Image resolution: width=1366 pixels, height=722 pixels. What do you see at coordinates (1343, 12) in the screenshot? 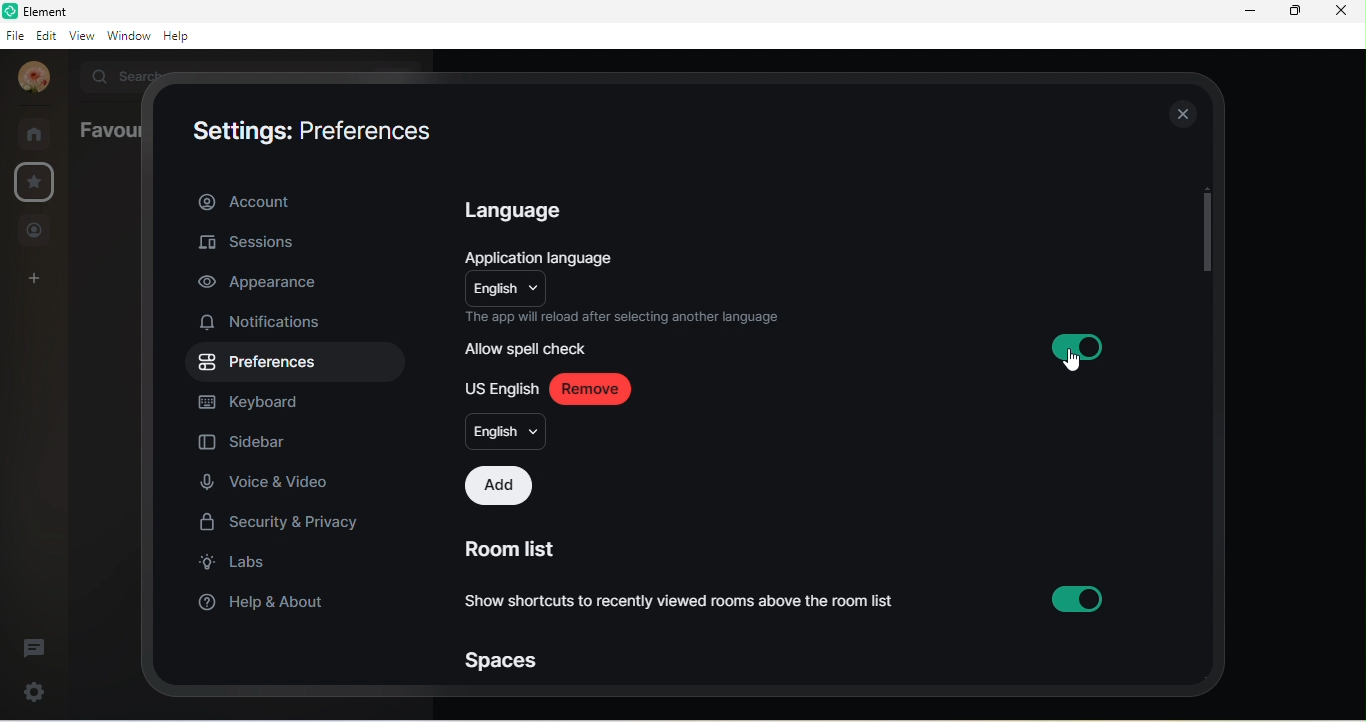
I see `close` at bounding box center [1343, 12].